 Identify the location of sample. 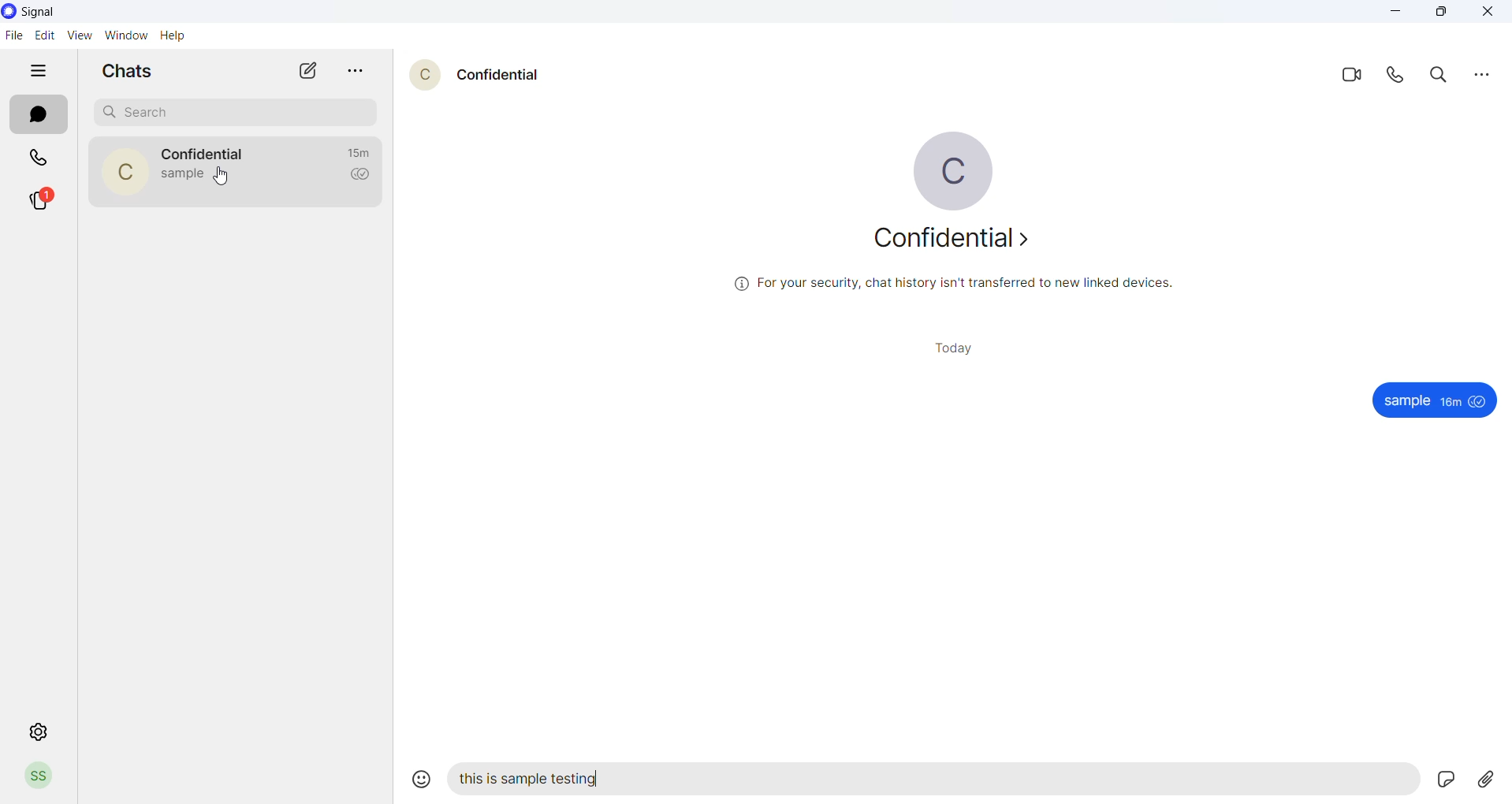
(184, 176).